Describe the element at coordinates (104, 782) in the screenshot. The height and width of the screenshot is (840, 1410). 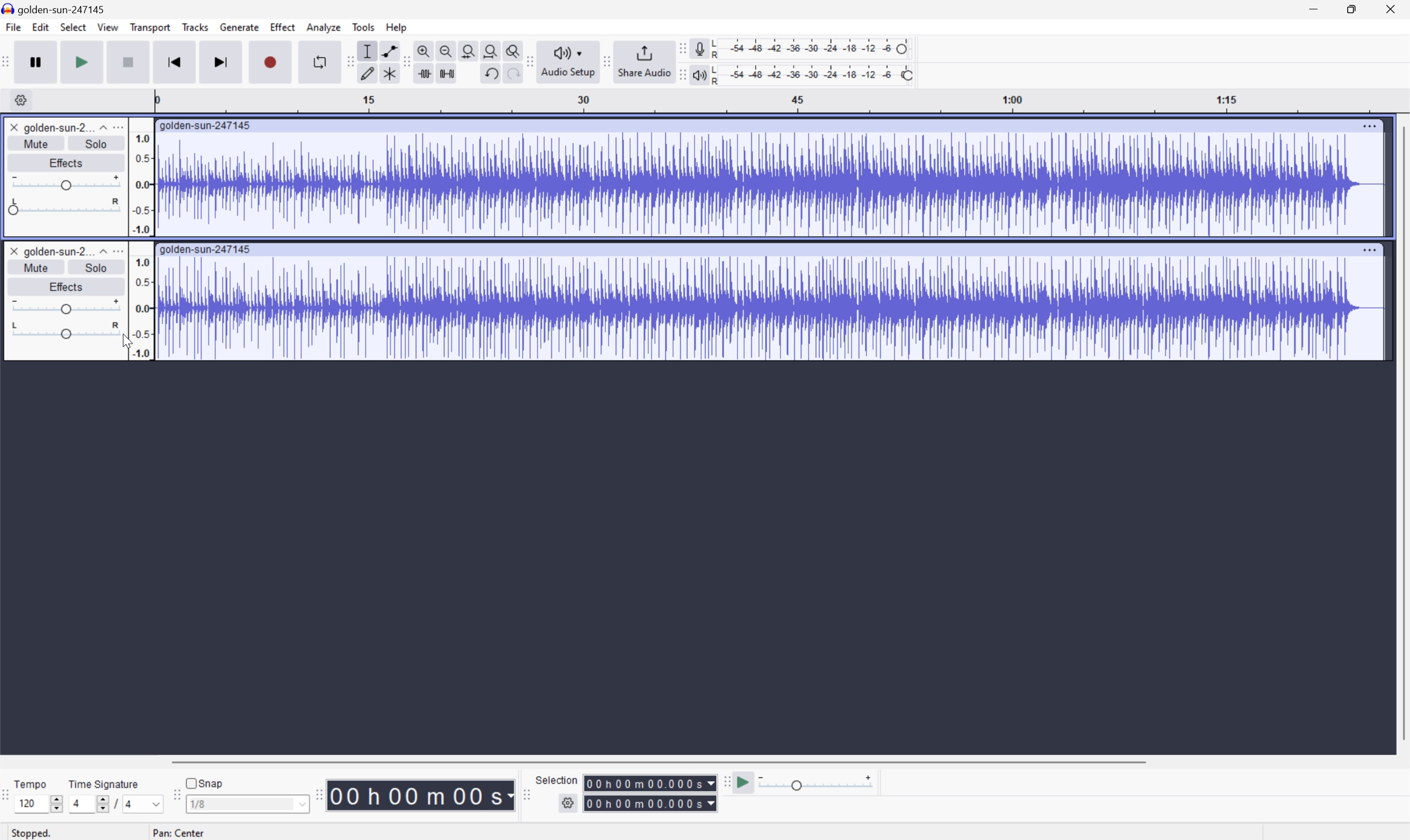
I see `Time signature` at that location.